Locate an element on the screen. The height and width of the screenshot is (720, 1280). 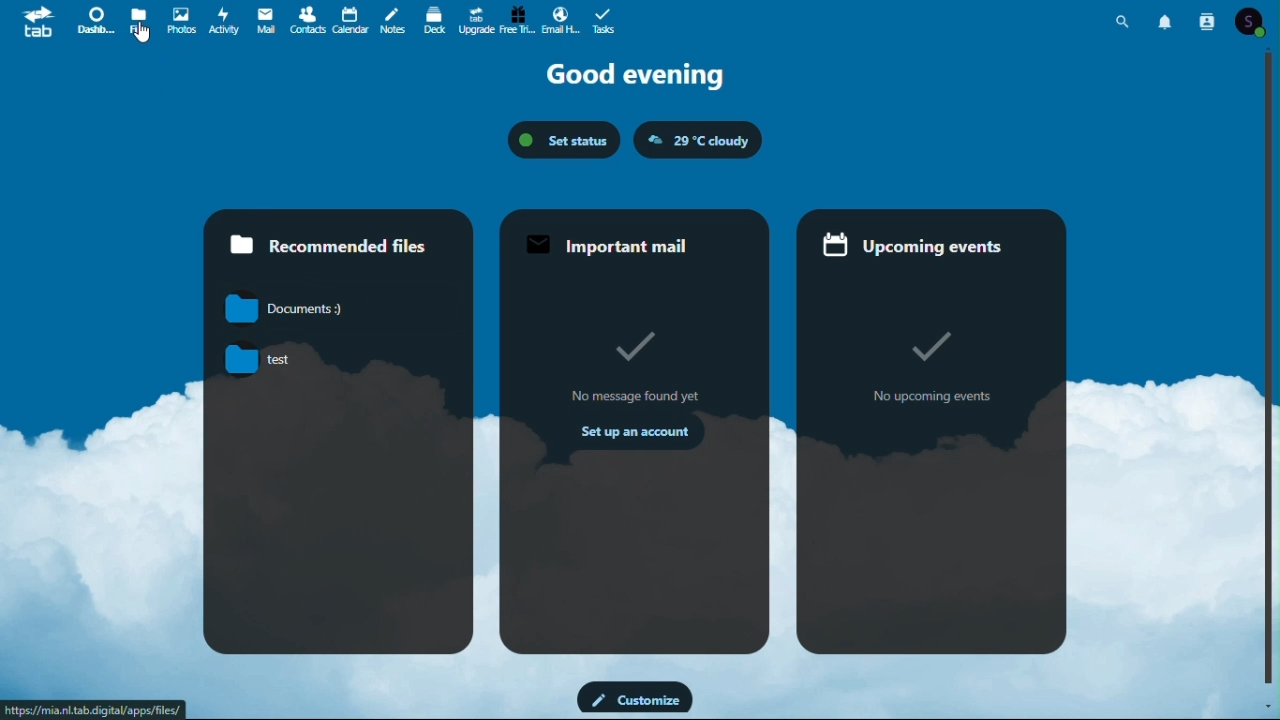
Search is located at coordinates (1127, 19).